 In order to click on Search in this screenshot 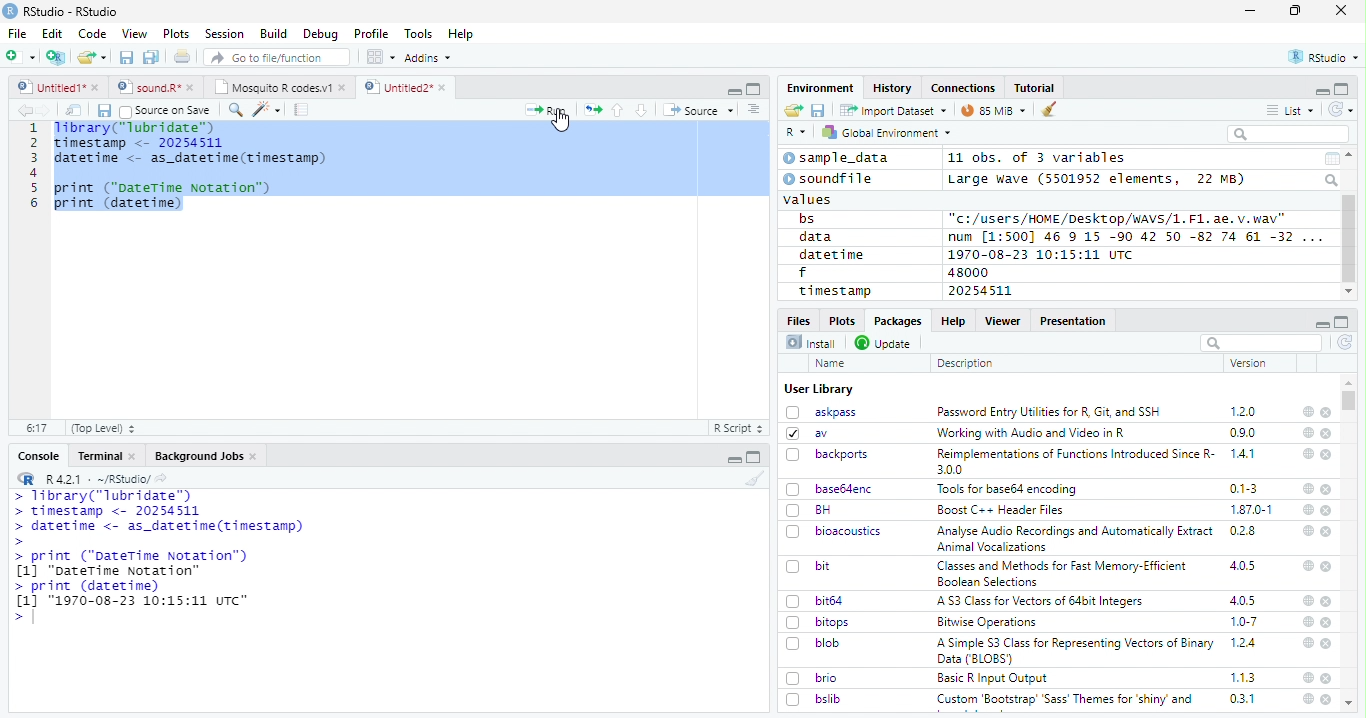, I will do `click(1333, 180)`.